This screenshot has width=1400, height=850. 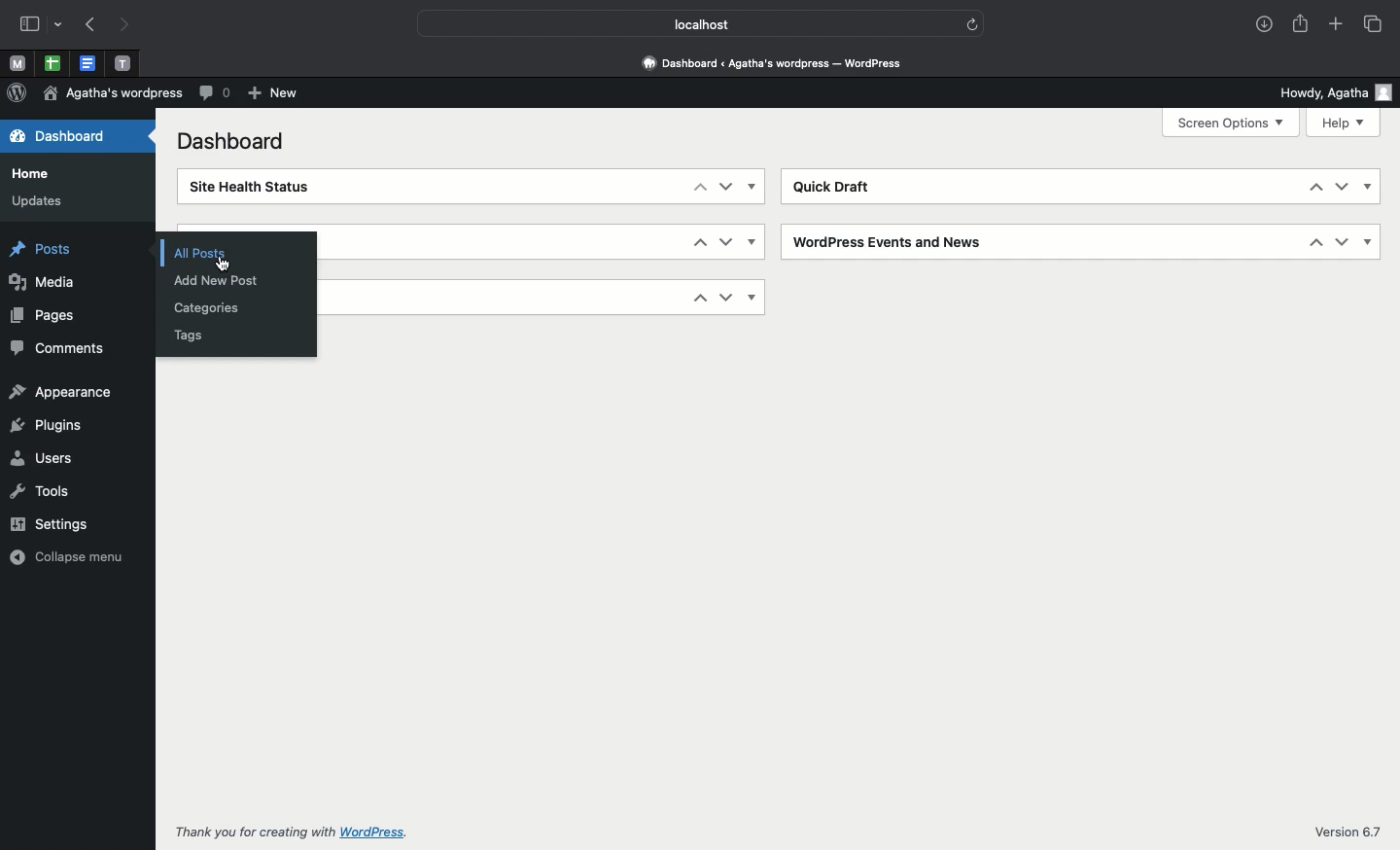 I want to click on Hide, so click(x=1369, y=187).